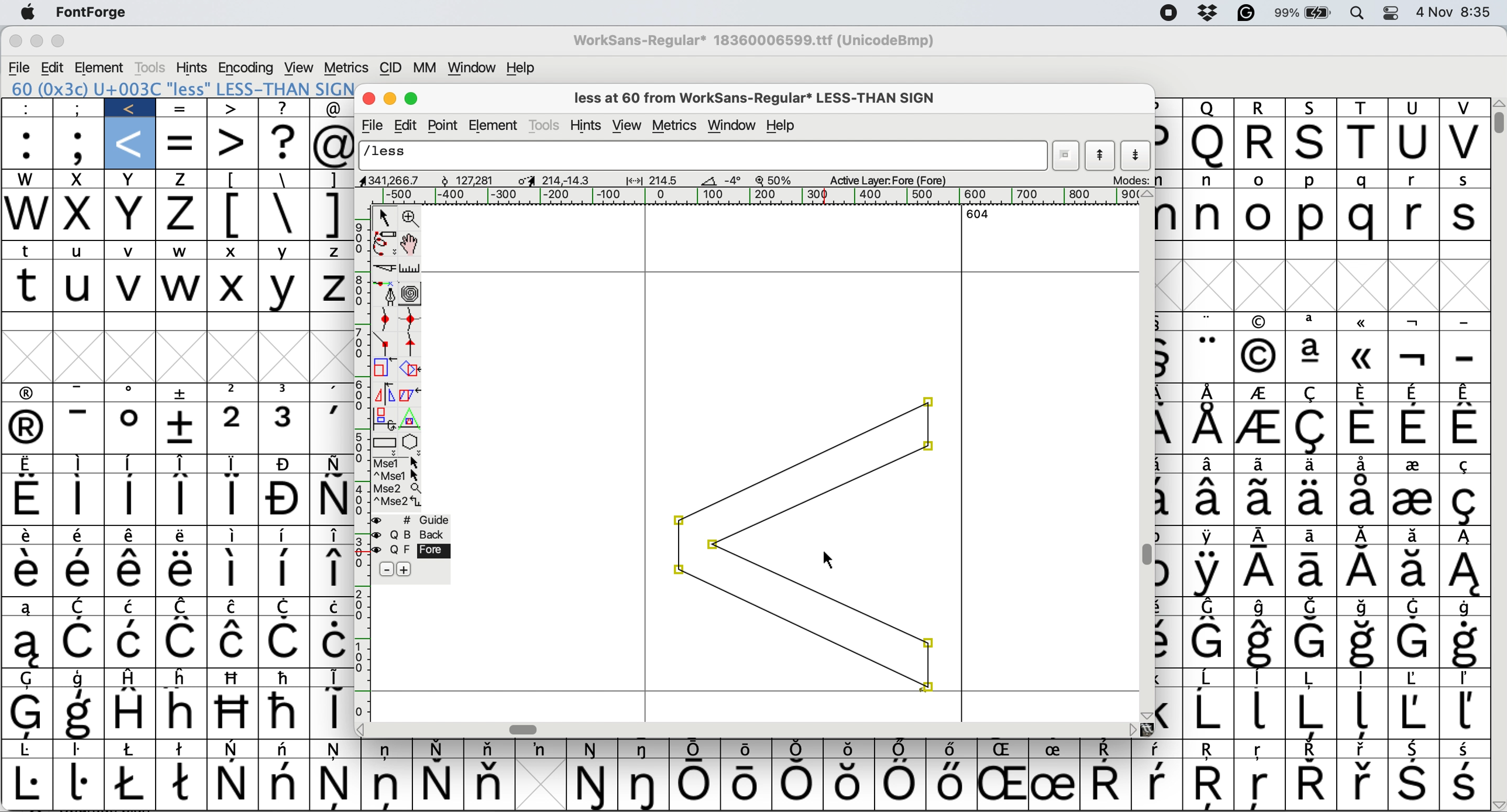  Describe the element at coordinates (1167, 106) in the screenshot. I see `p` at that location.